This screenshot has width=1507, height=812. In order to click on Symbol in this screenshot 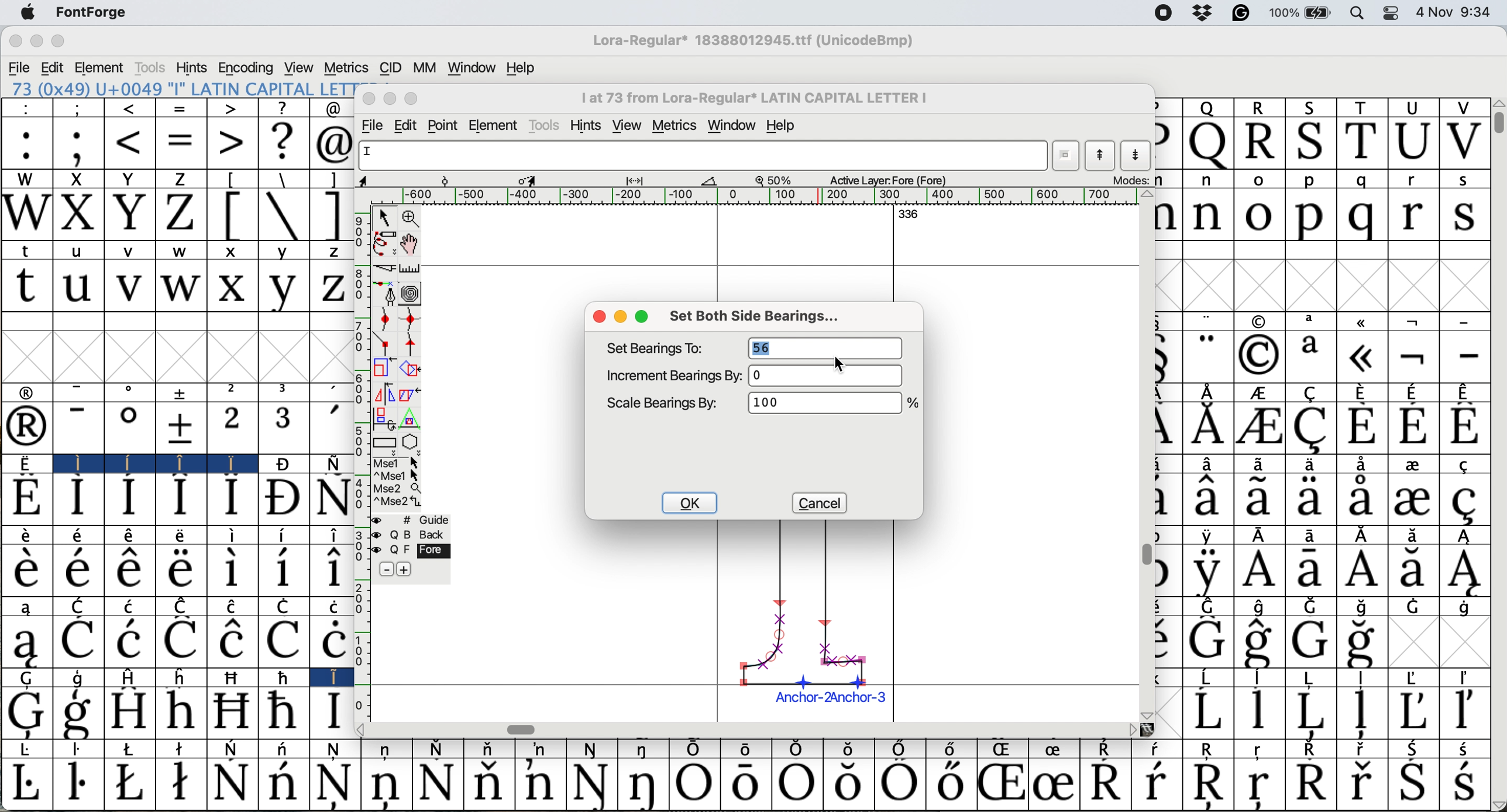, I will do `click(1363, 607)`.